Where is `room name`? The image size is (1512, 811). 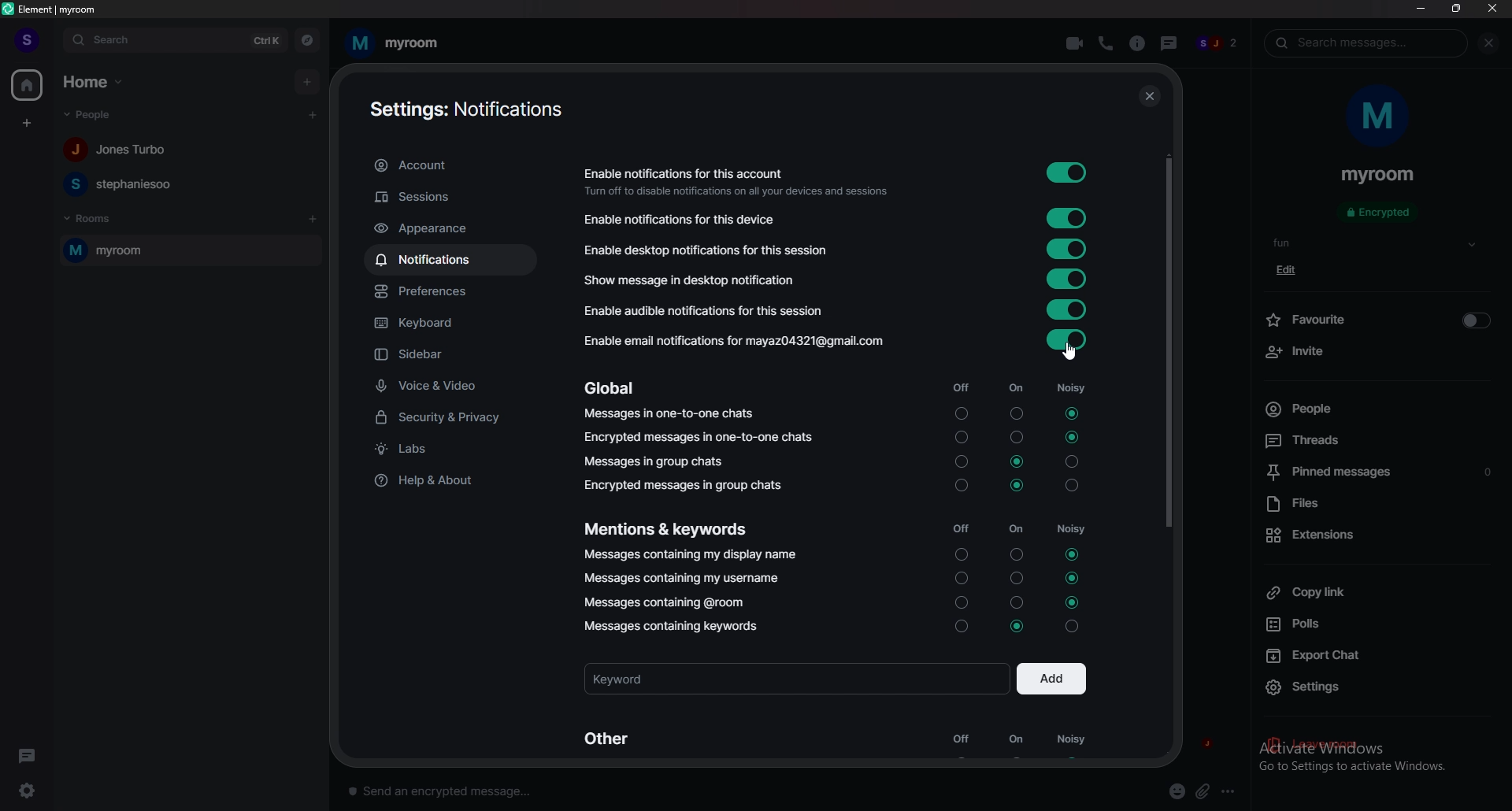 room name is located at coordinates (1378, 176).